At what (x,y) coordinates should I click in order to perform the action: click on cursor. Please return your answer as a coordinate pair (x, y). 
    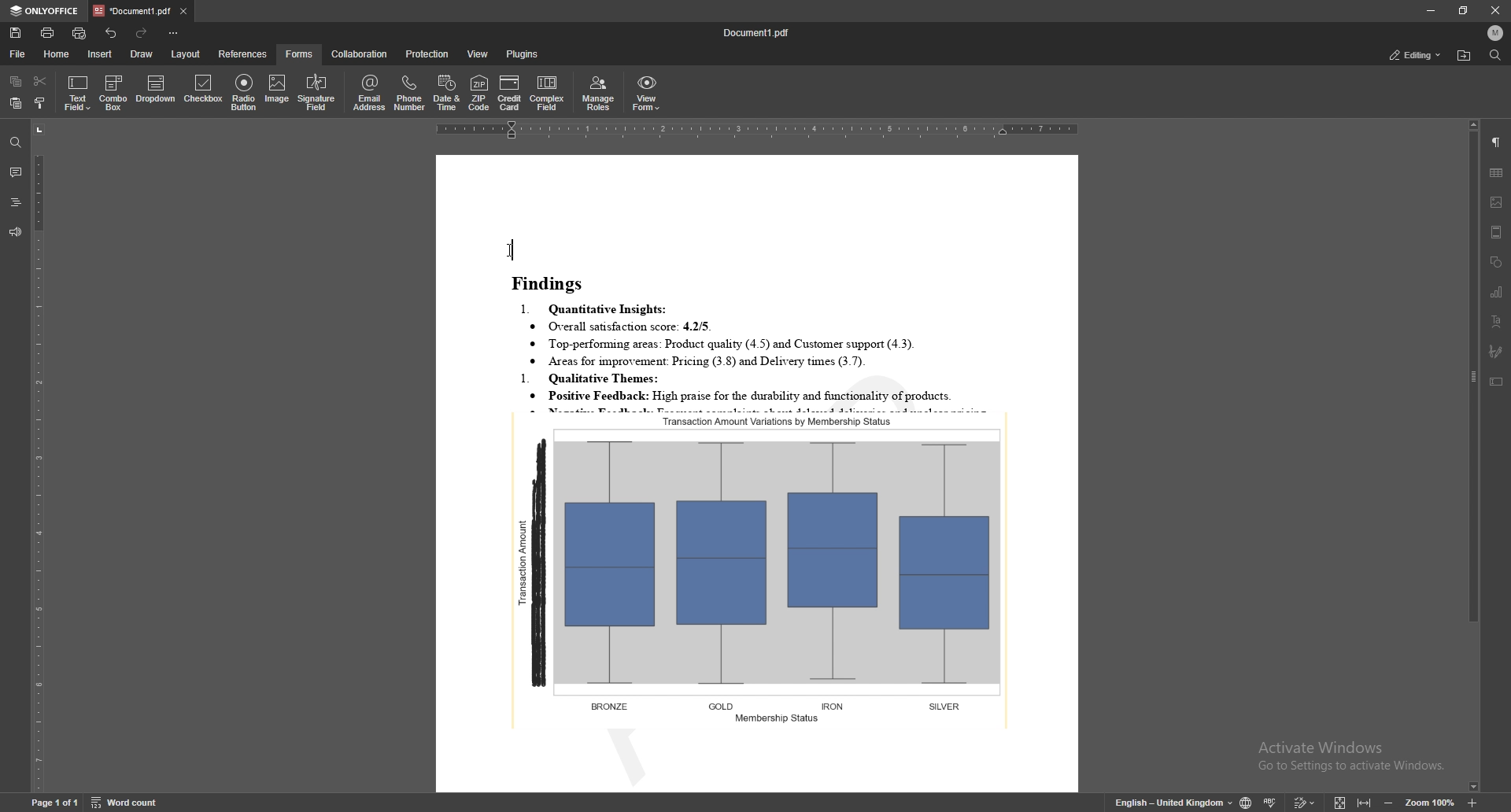
    Looking at the image, I should click on (511, 249).